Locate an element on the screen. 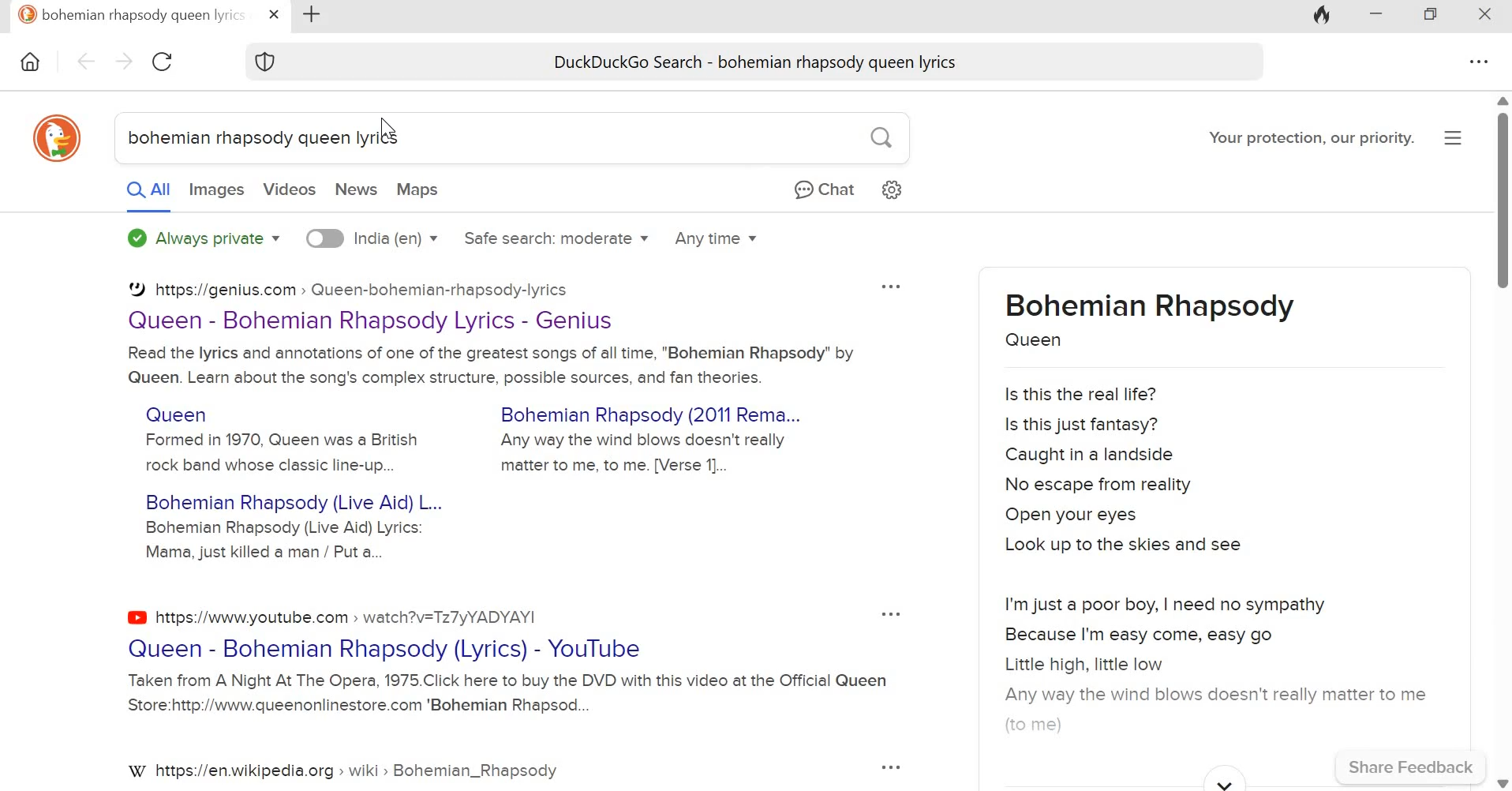 The height and width of the screenshot is (791, 1512). Any way the wind blows doesn't really
matter to me, to me. [Verse 1]... is located at coordinates (646, 454).